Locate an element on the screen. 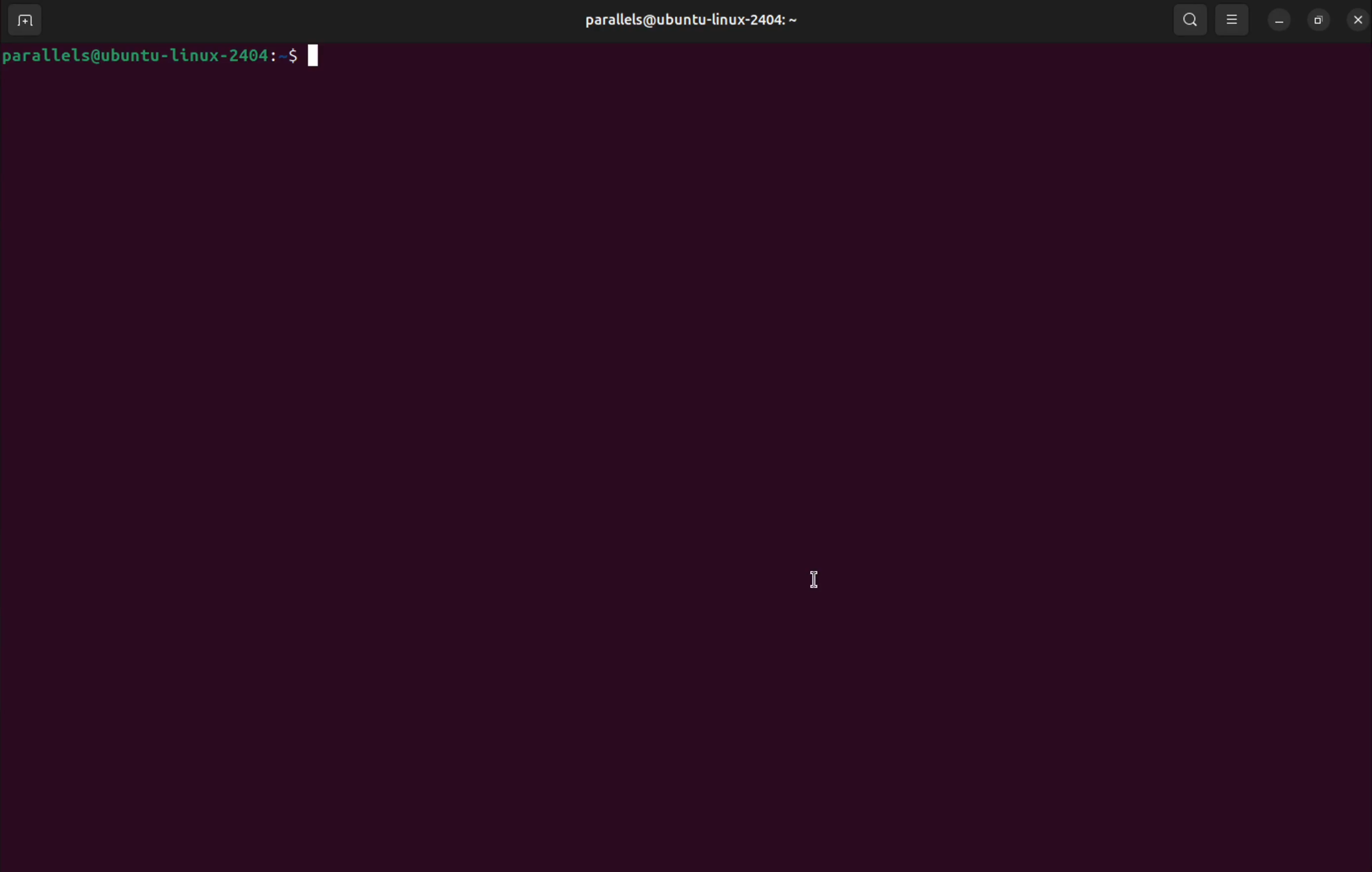 The image size is (1372, 872). parallels@ubuntu-linux-2404:~ is located at coordinates (700, 20).